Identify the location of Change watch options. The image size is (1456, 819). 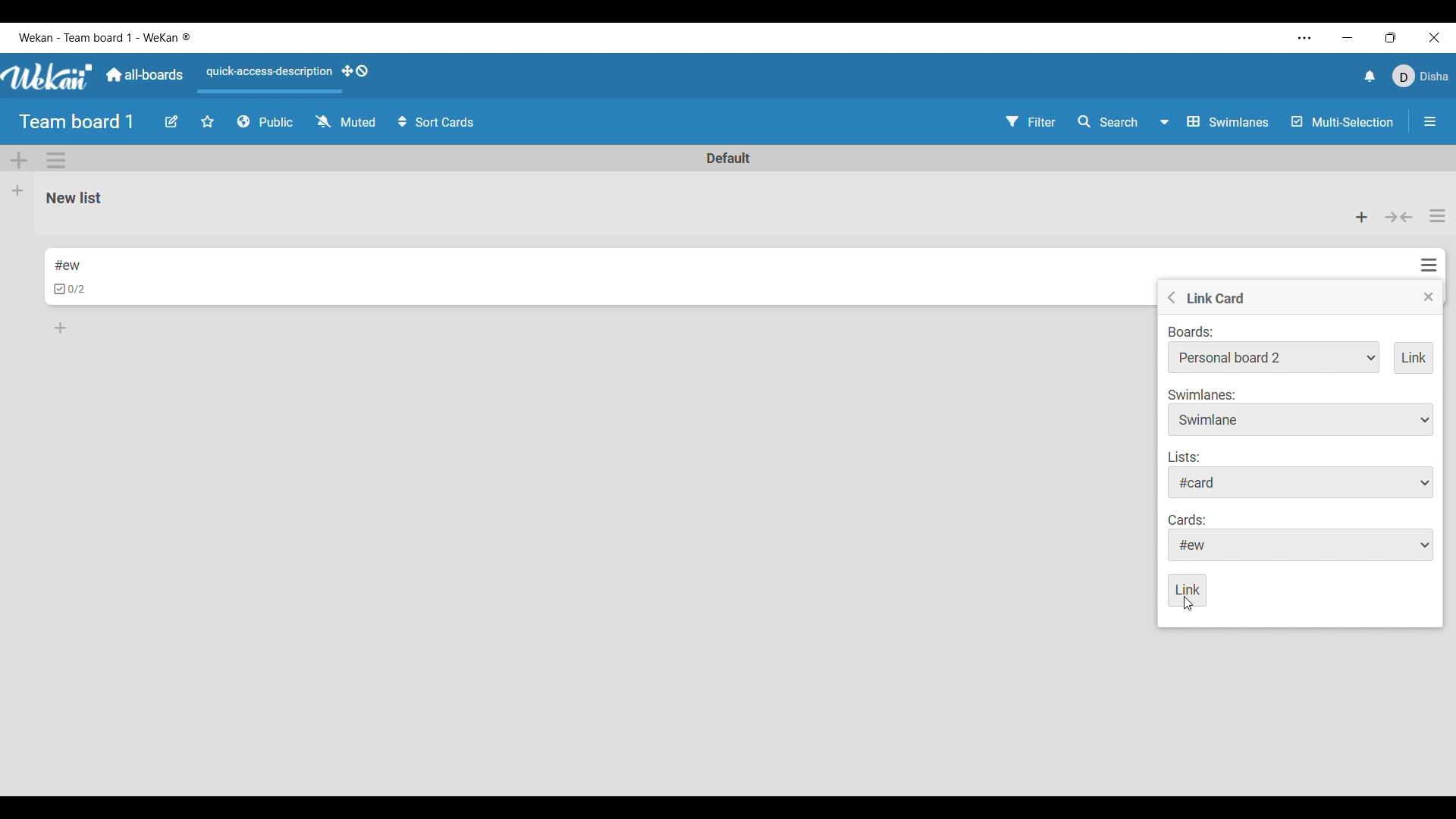
(345, 121).